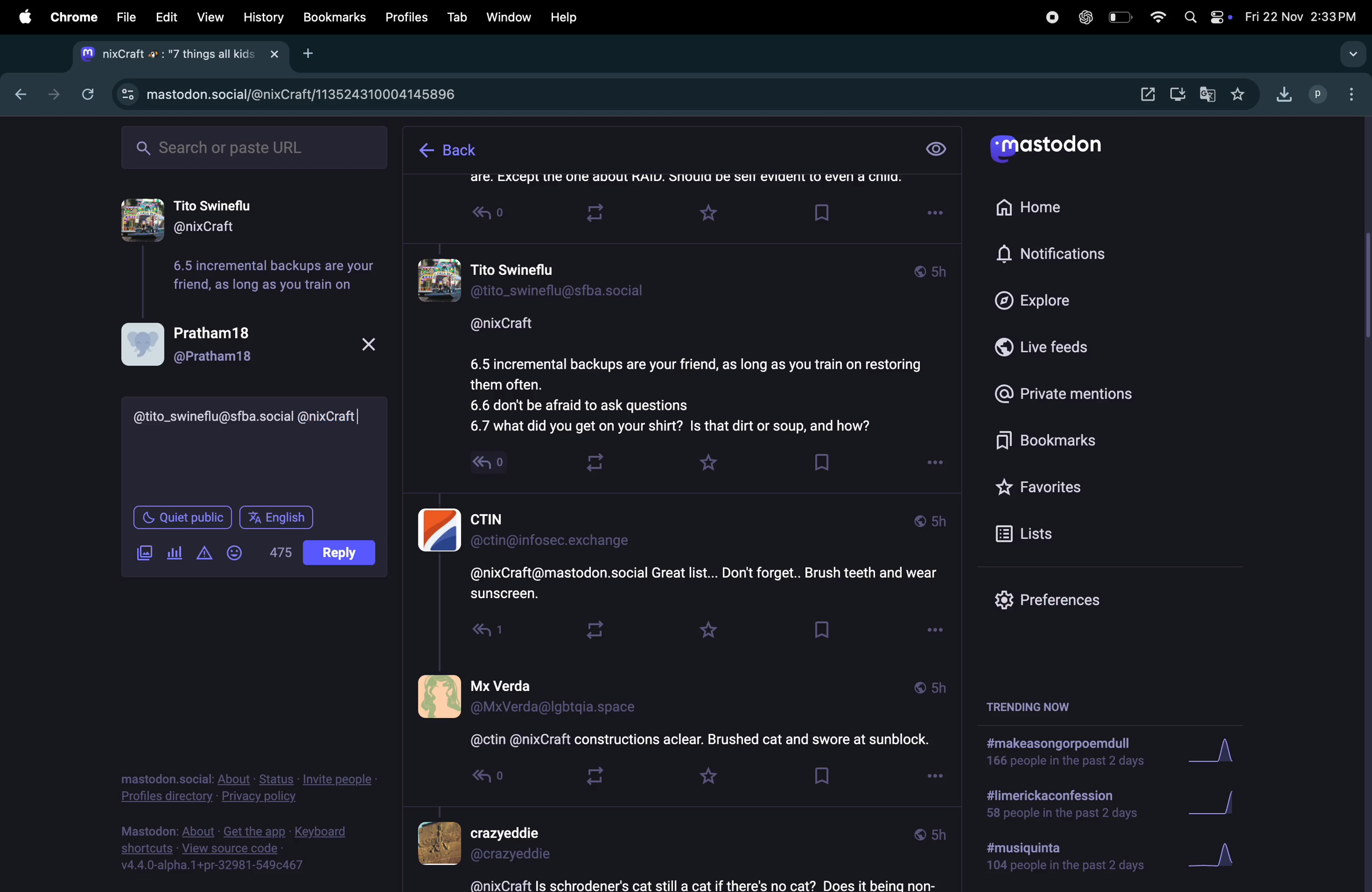 This screenshot has width=1372, height=892. Describe the element at coordinates (1208, 17) in the screenshot. I see `apple widgets` at that location.